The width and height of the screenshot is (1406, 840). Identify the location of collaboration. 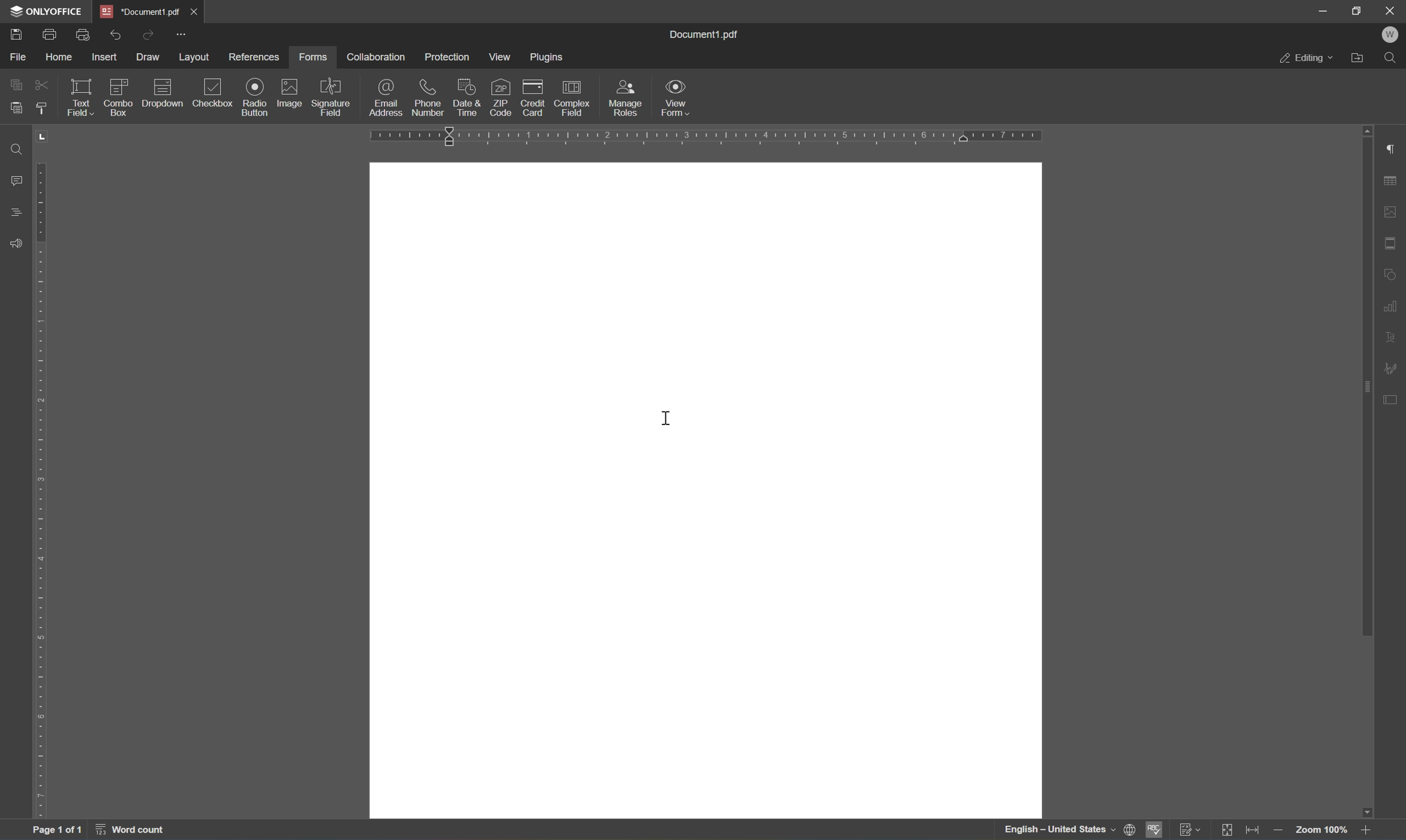
(379, 56).